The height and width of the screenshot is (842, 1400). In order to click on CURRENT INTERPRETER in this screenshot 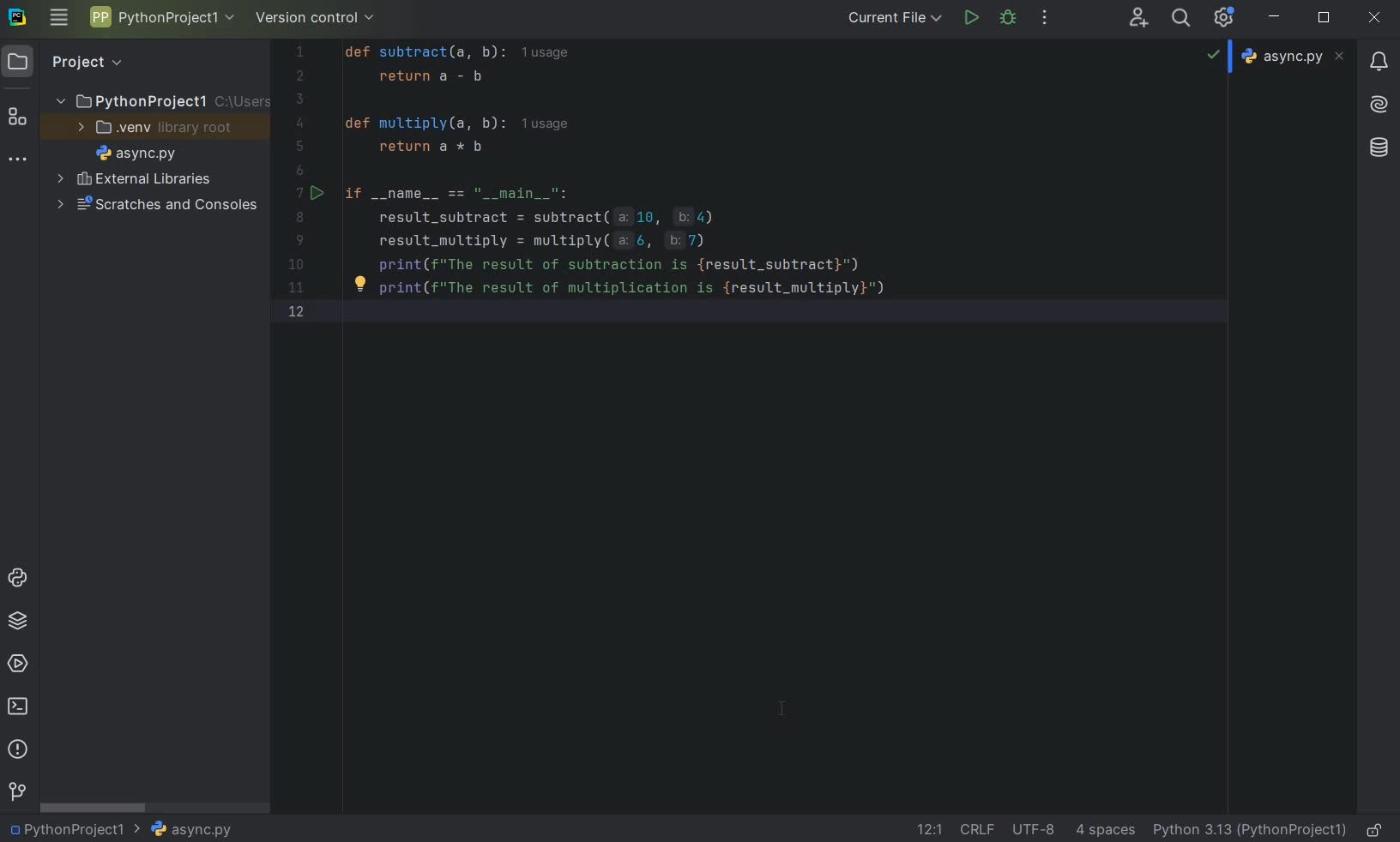, I will do `click(1249, 829)`.